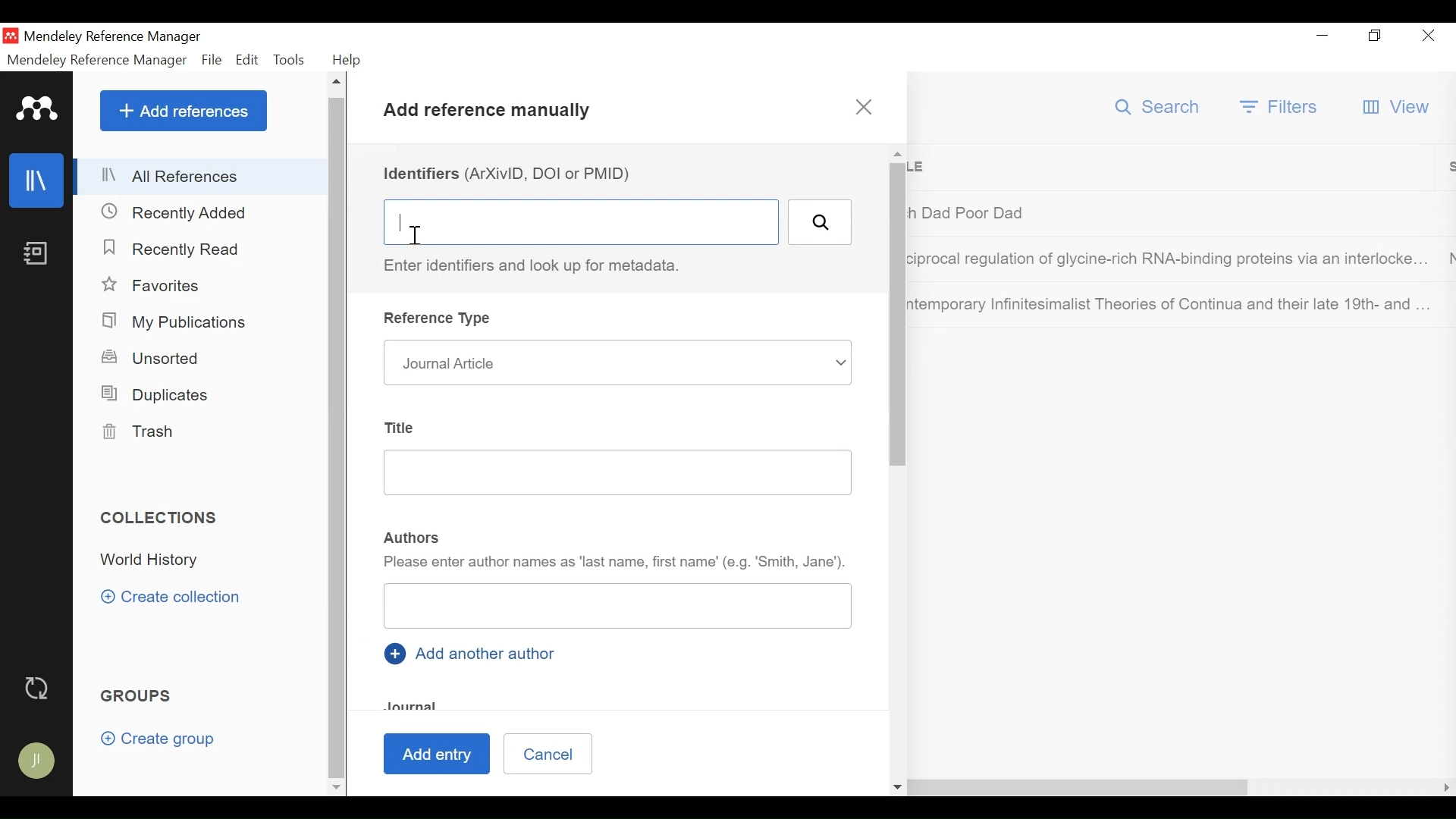 The width and height of the screenshot is (1456, 819). What do you see at coordinates (618, 608) in the screenshot?
I see `Name box` at bounding box center [618, 608].